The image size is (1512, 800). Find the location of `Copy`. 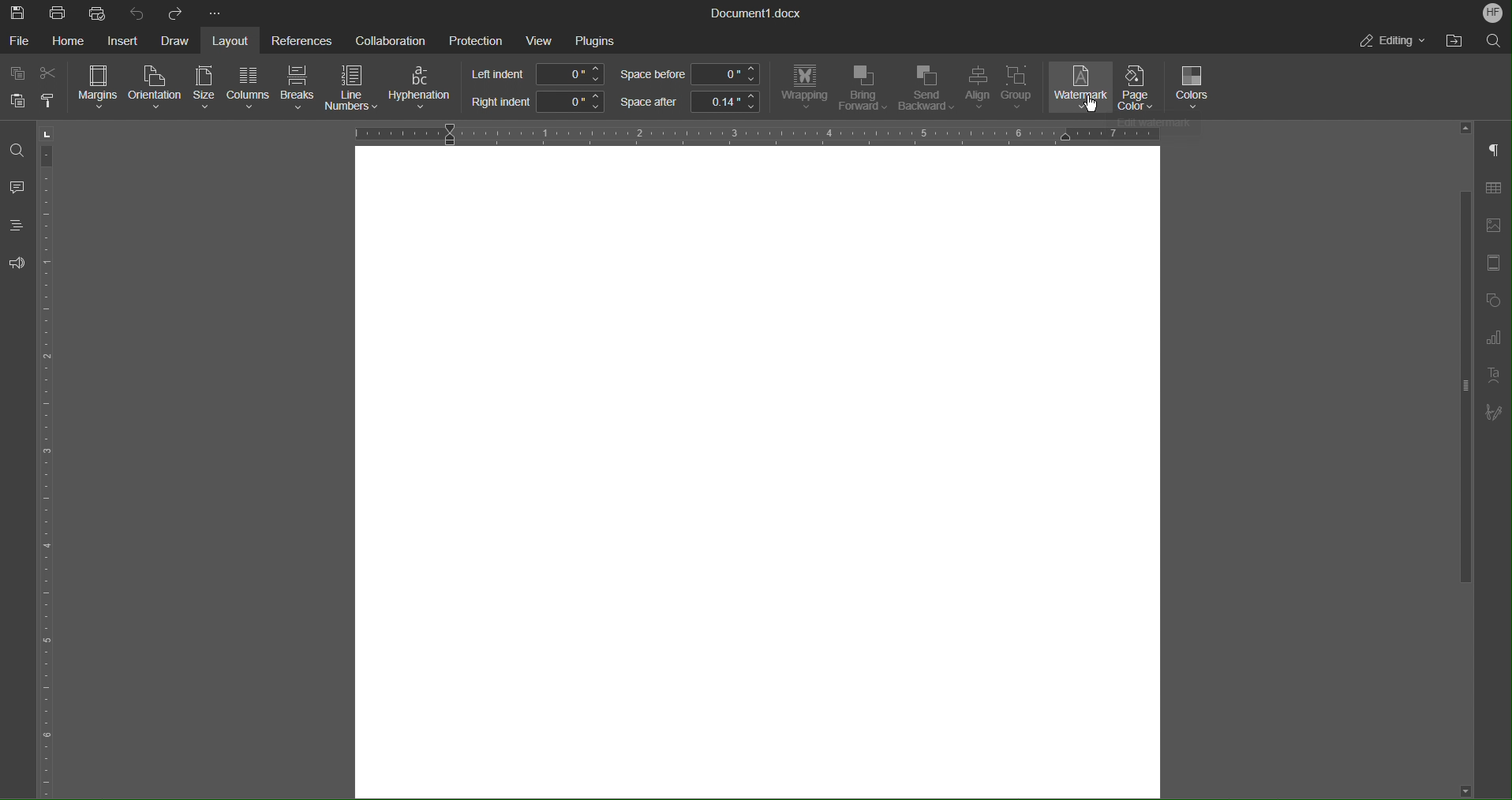

Copy is located at coordinates (19, 74).